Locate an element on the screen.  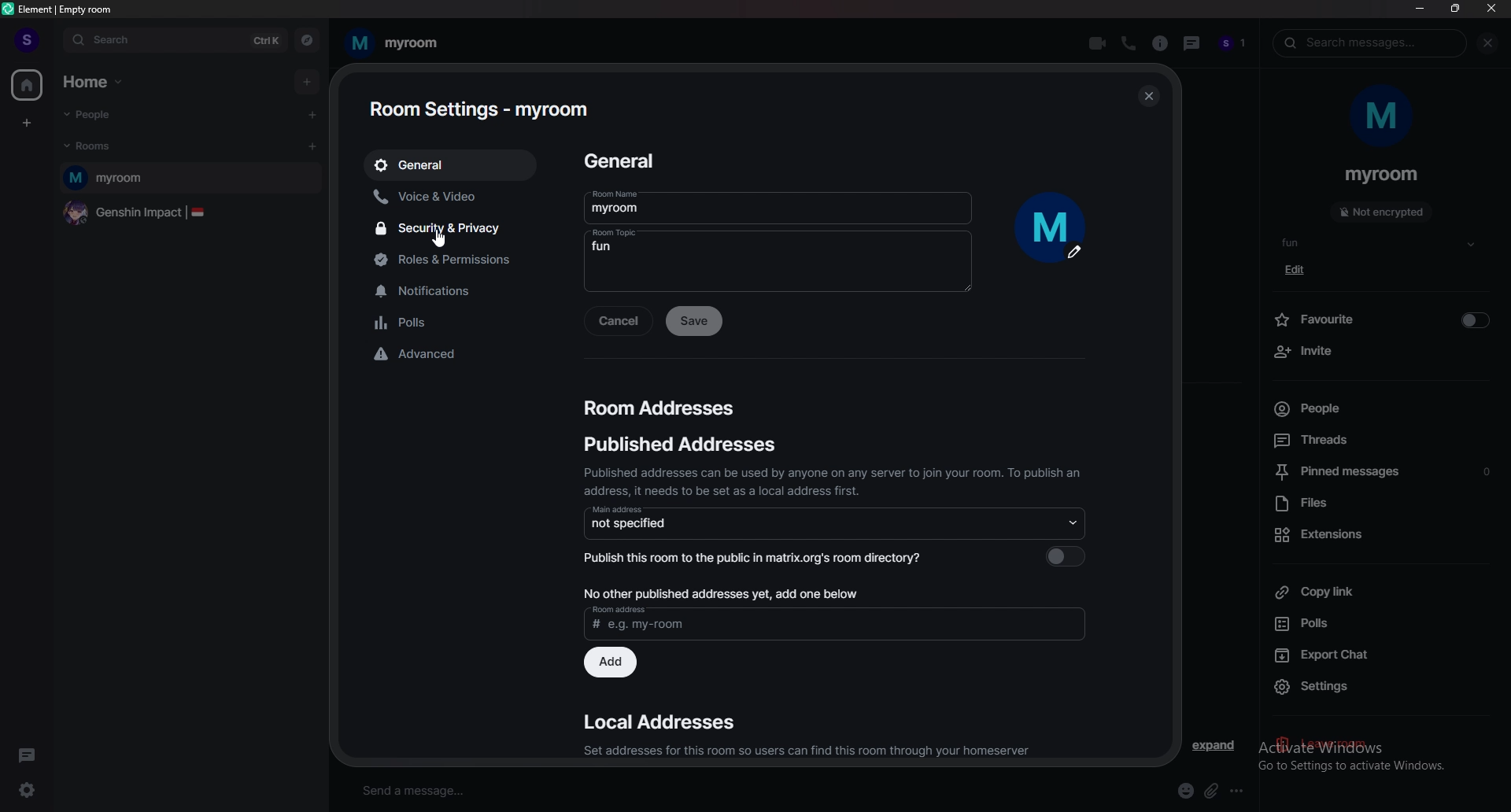
advanced is located at coordinates (449, 356).